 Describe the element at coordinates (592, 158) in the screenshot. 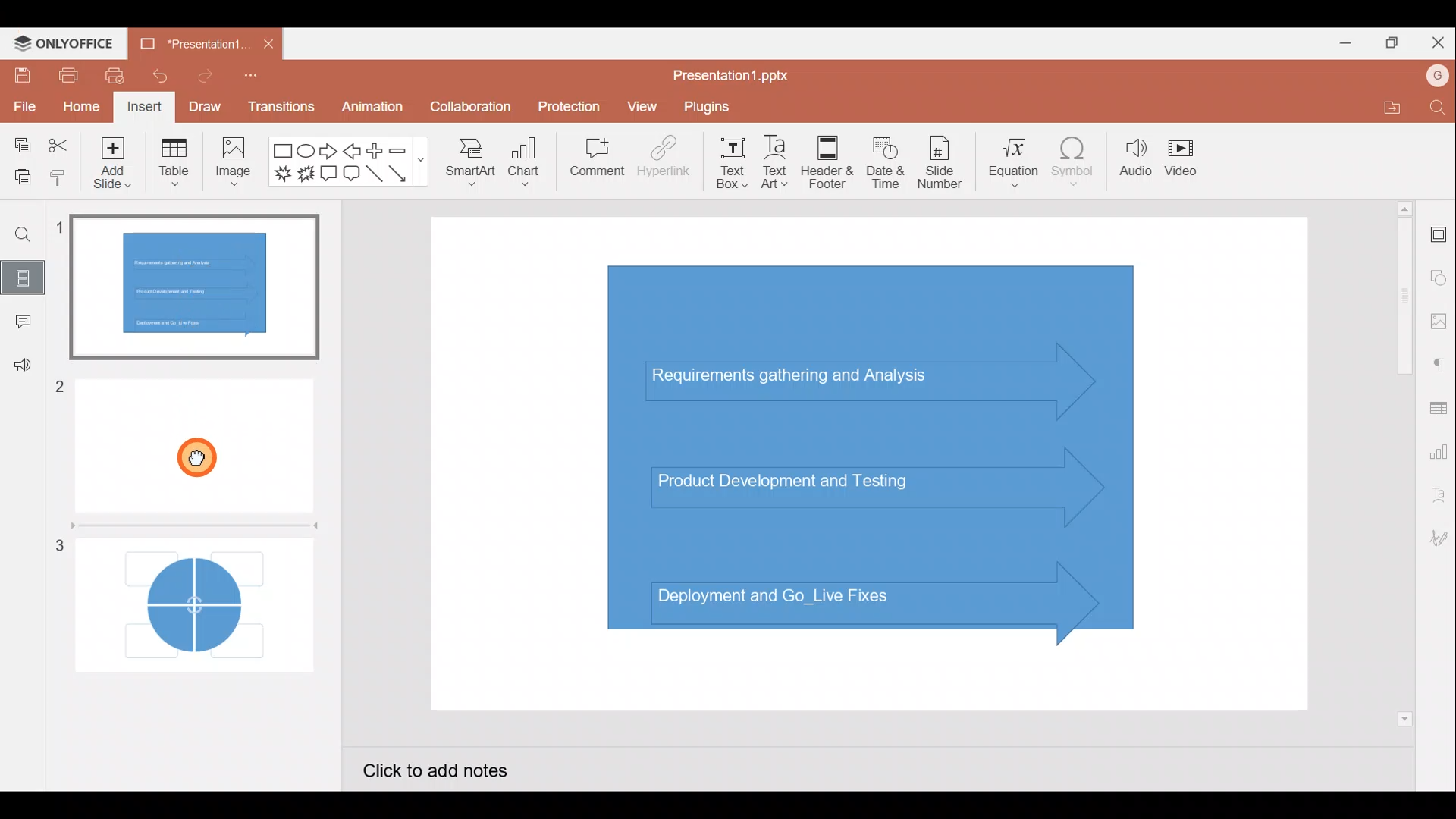

I see `Comment` at that location.